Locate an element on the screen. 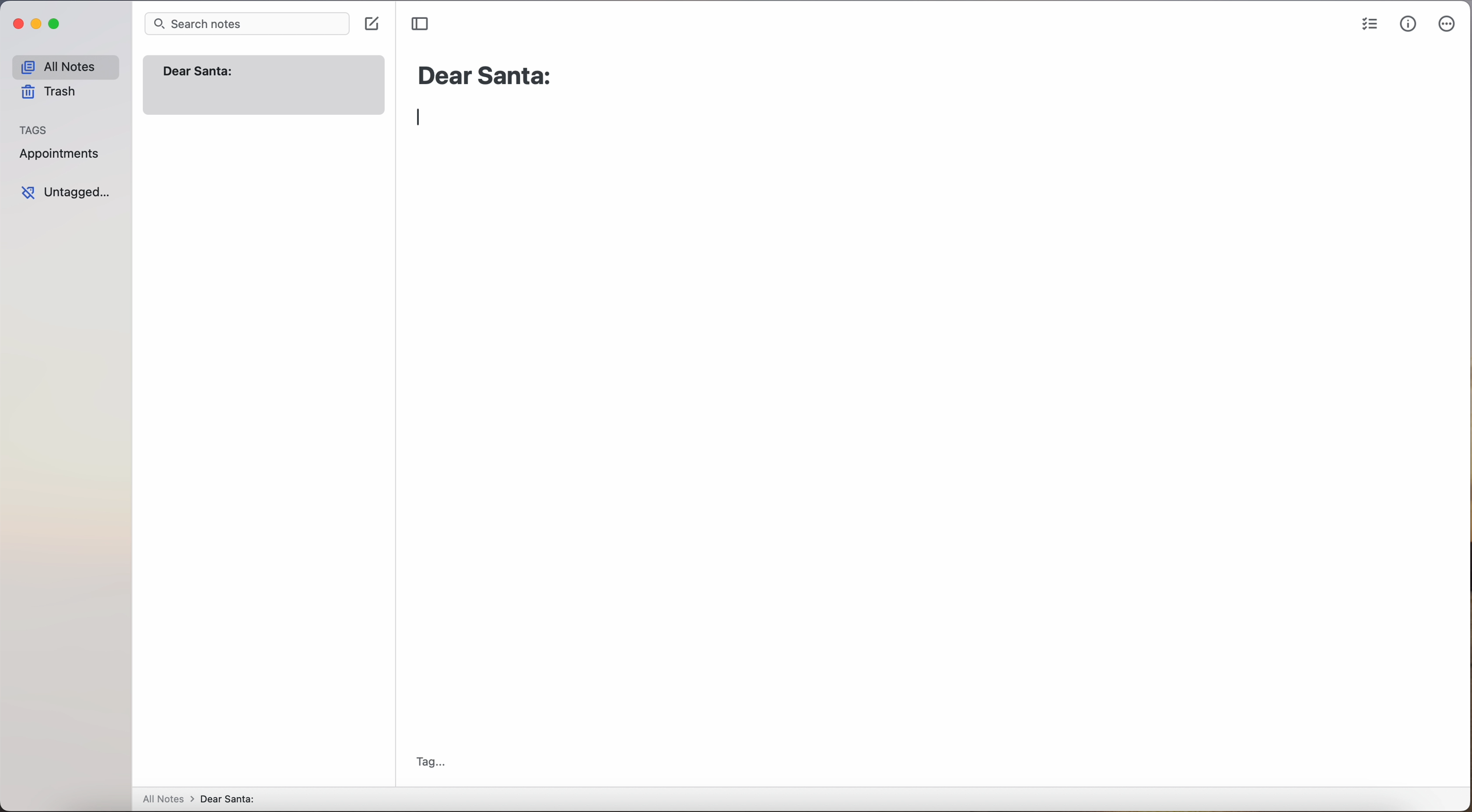 This screenshot has width=1472, height=812. tags is located at coordinates (38, 129).